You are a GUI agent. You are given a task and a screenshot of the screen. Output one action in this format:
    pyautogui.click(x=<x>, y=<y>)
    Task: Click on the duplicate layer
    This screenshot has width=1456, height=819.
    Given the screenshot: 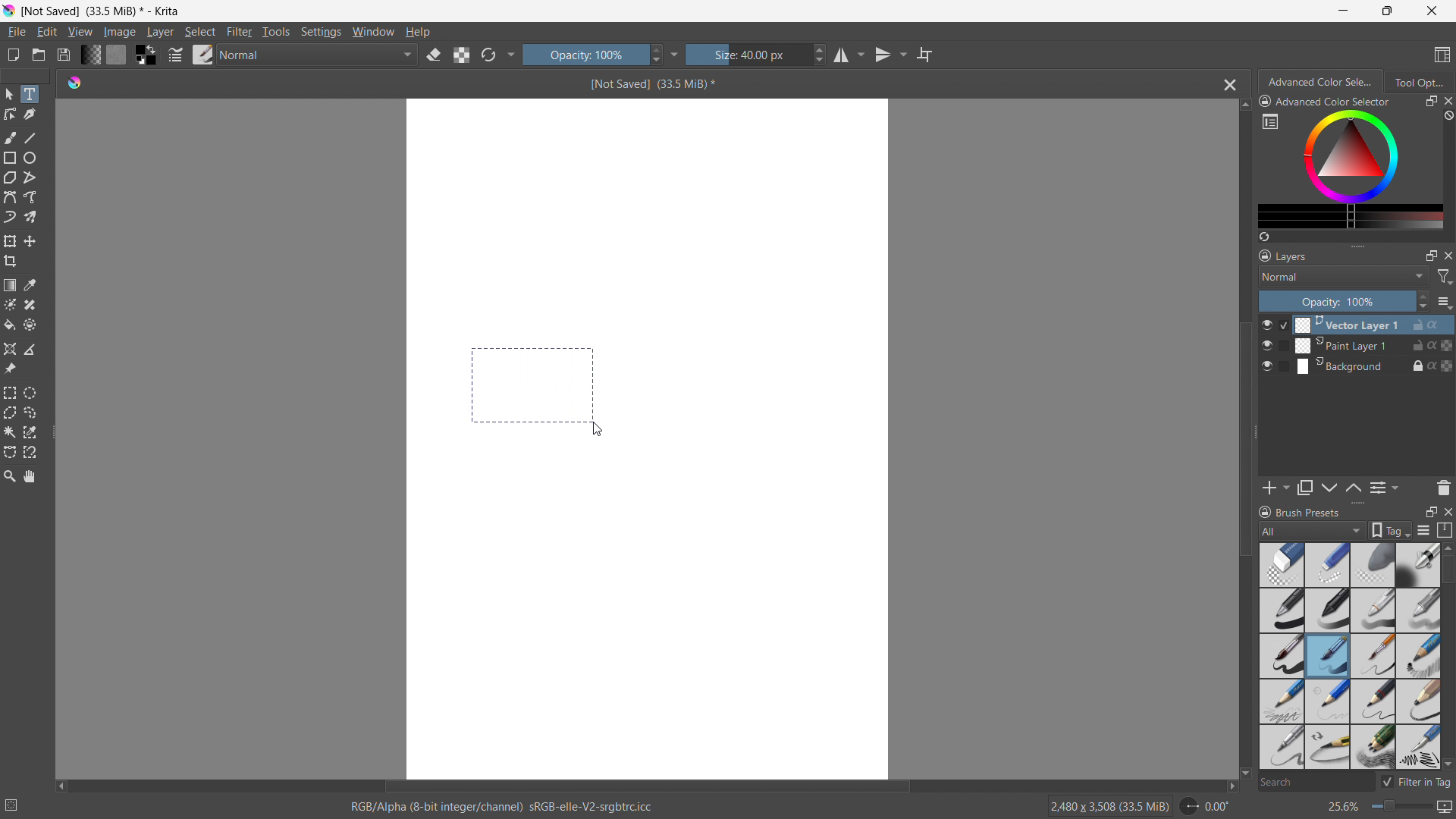 What is the action you would take?
    pyautogui.click(x=1305, y=488)
    